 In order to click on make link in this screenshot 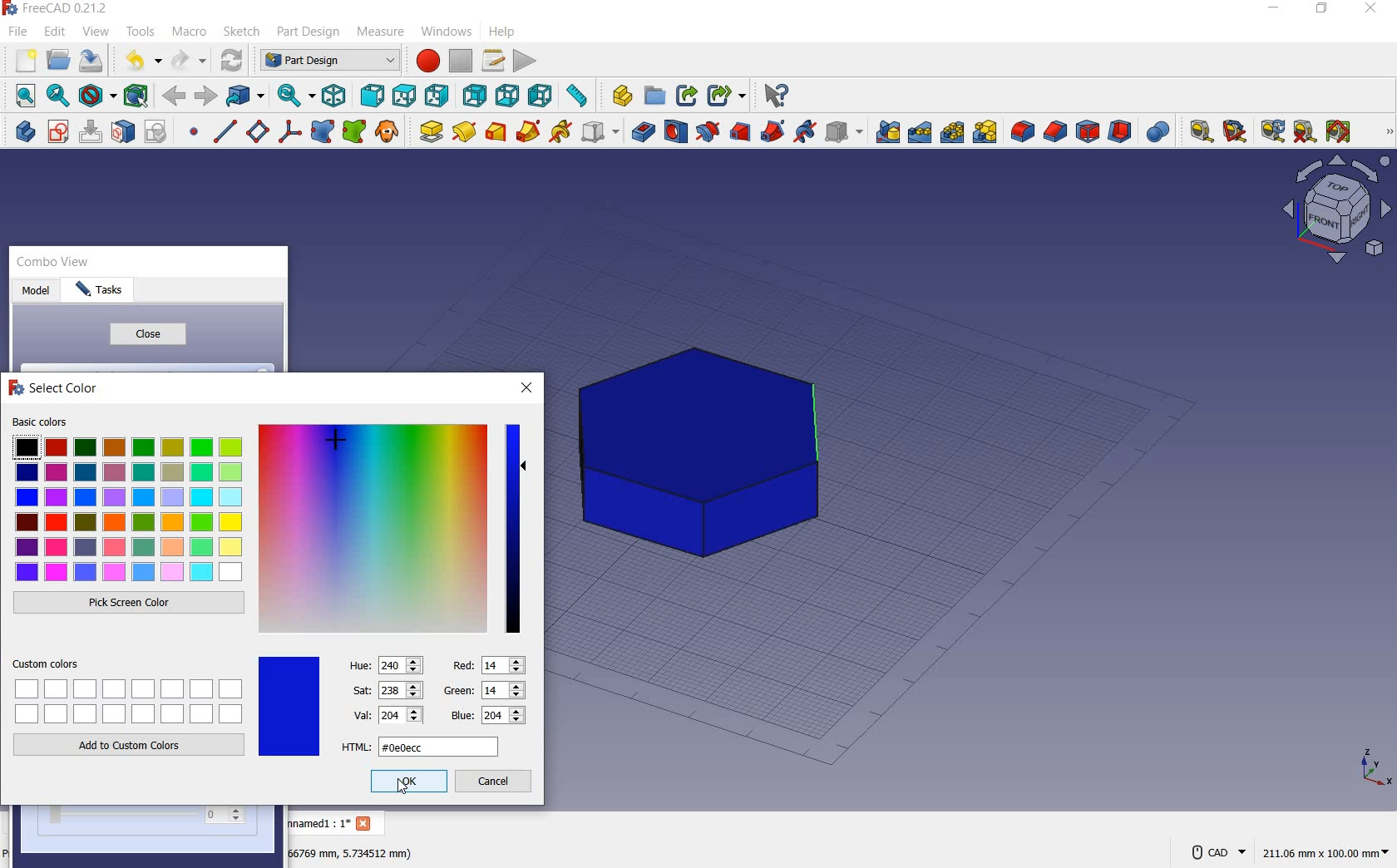, I will do `click(684, 96)`.